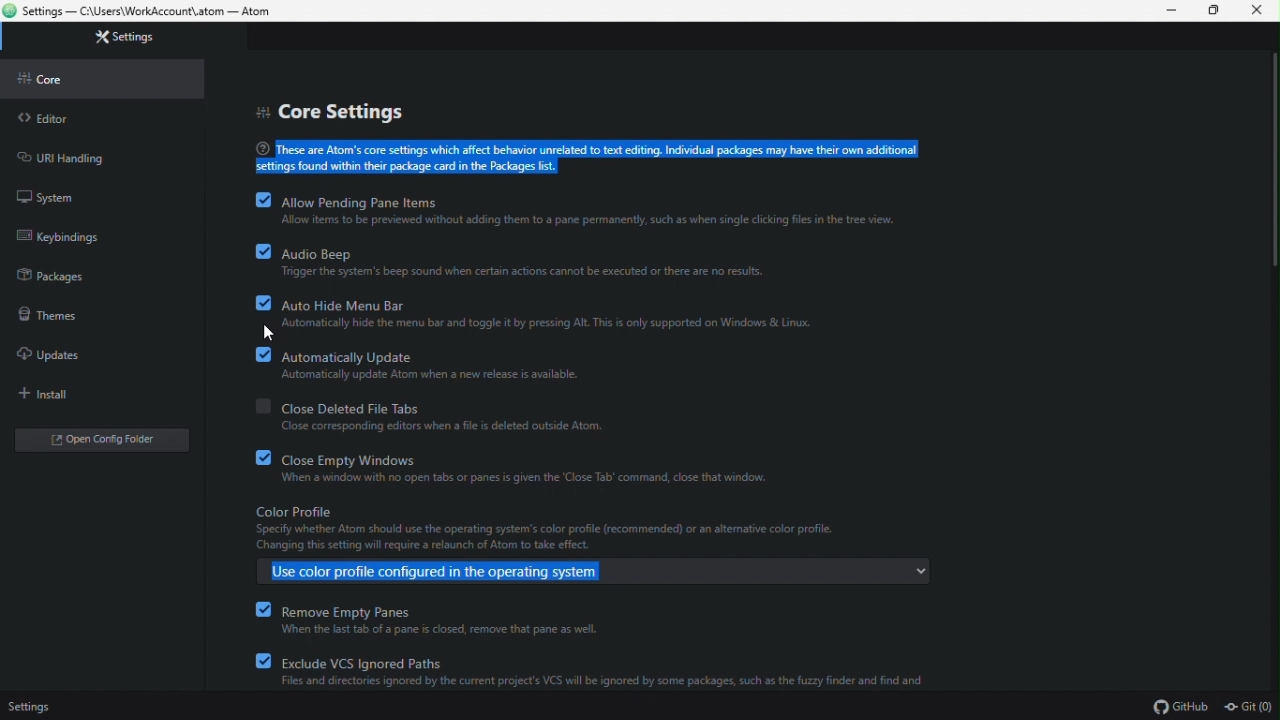  Describe the element at coordinates (609, 673) in the screenshot. I see `& Exclude VCS Ignored Paths
Files and directories ignored by the current project's VCS will be ignored by some packages, such as the fuzzy finder and find and` at that location.